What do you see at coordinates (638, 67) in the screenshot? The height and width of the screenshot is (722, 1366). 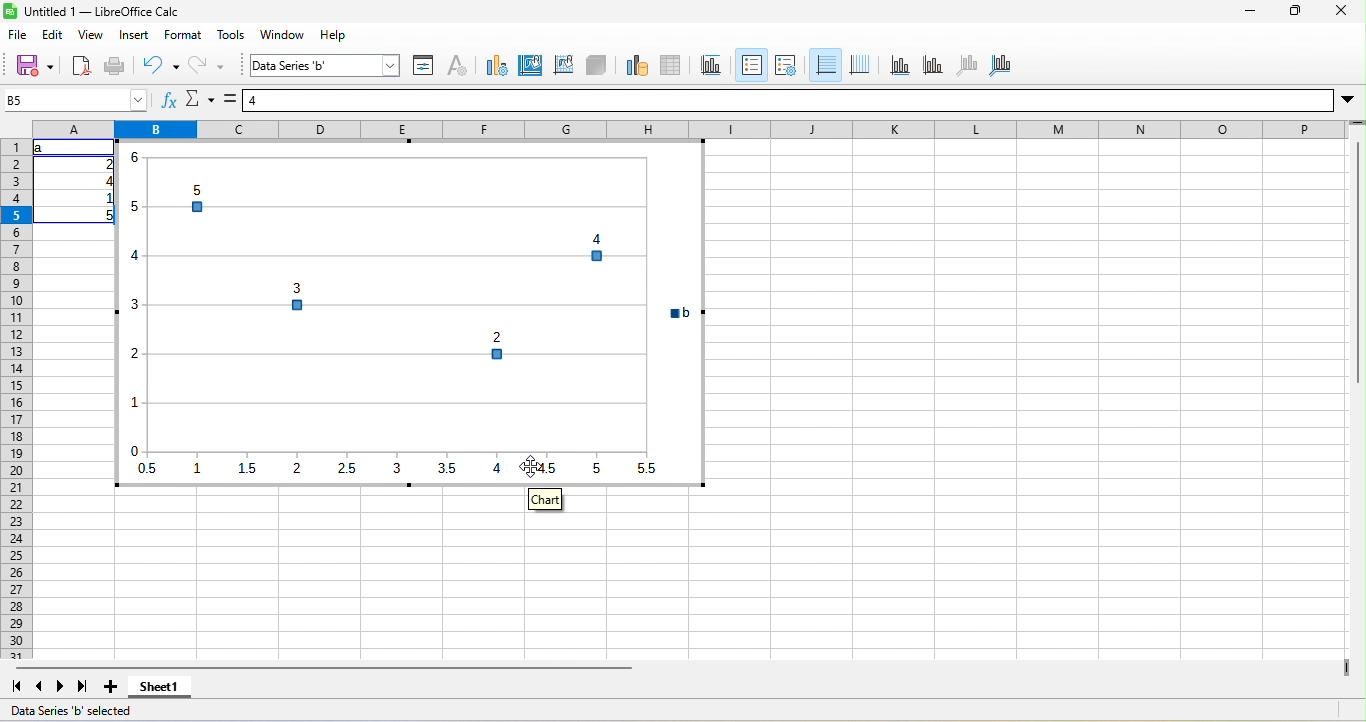 I see `data range` at bounding box center [638, 67].